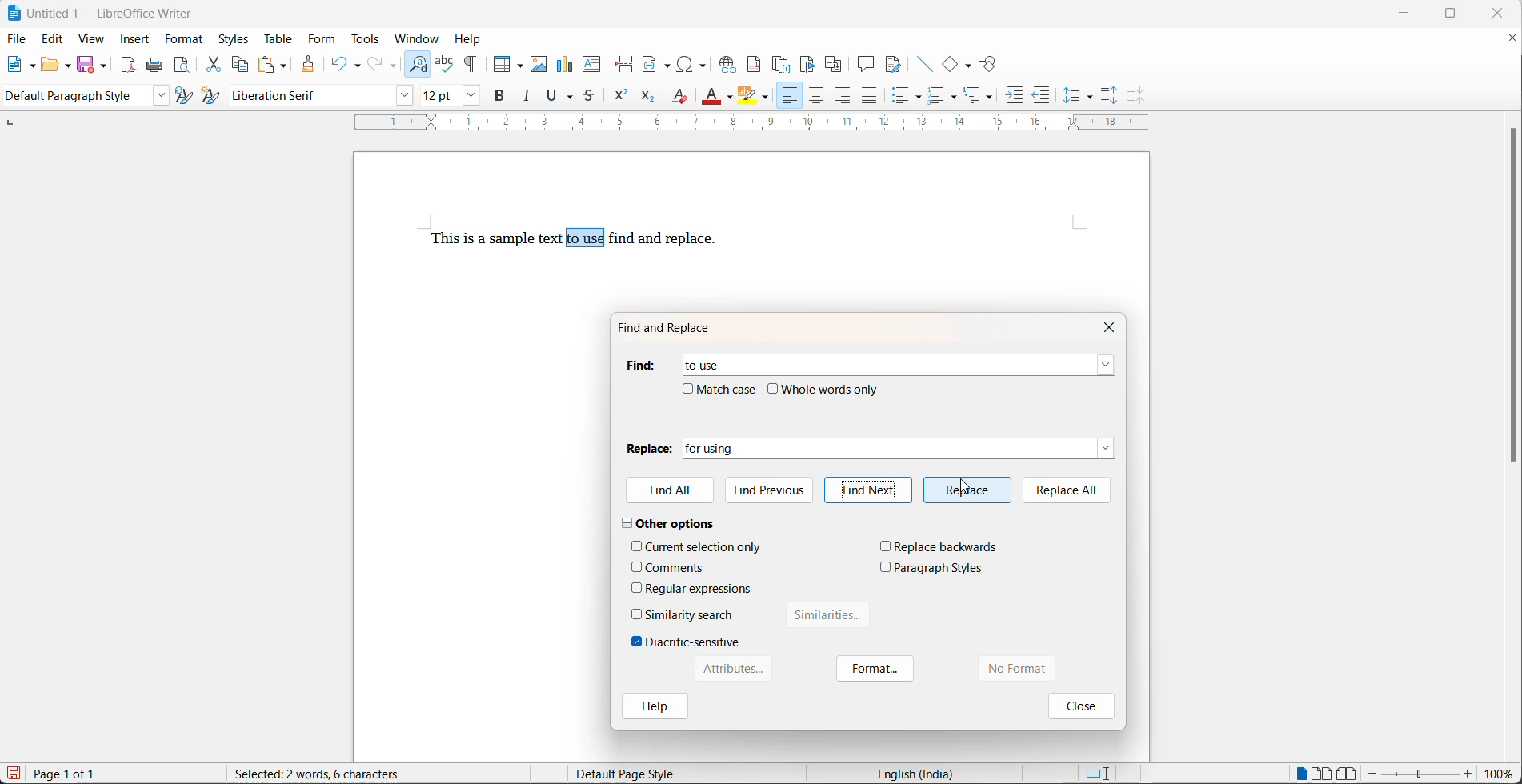 The width and height of the screenshot is (1522, 784). I want to click on increase paragraph spacing, so click(1110, 94).